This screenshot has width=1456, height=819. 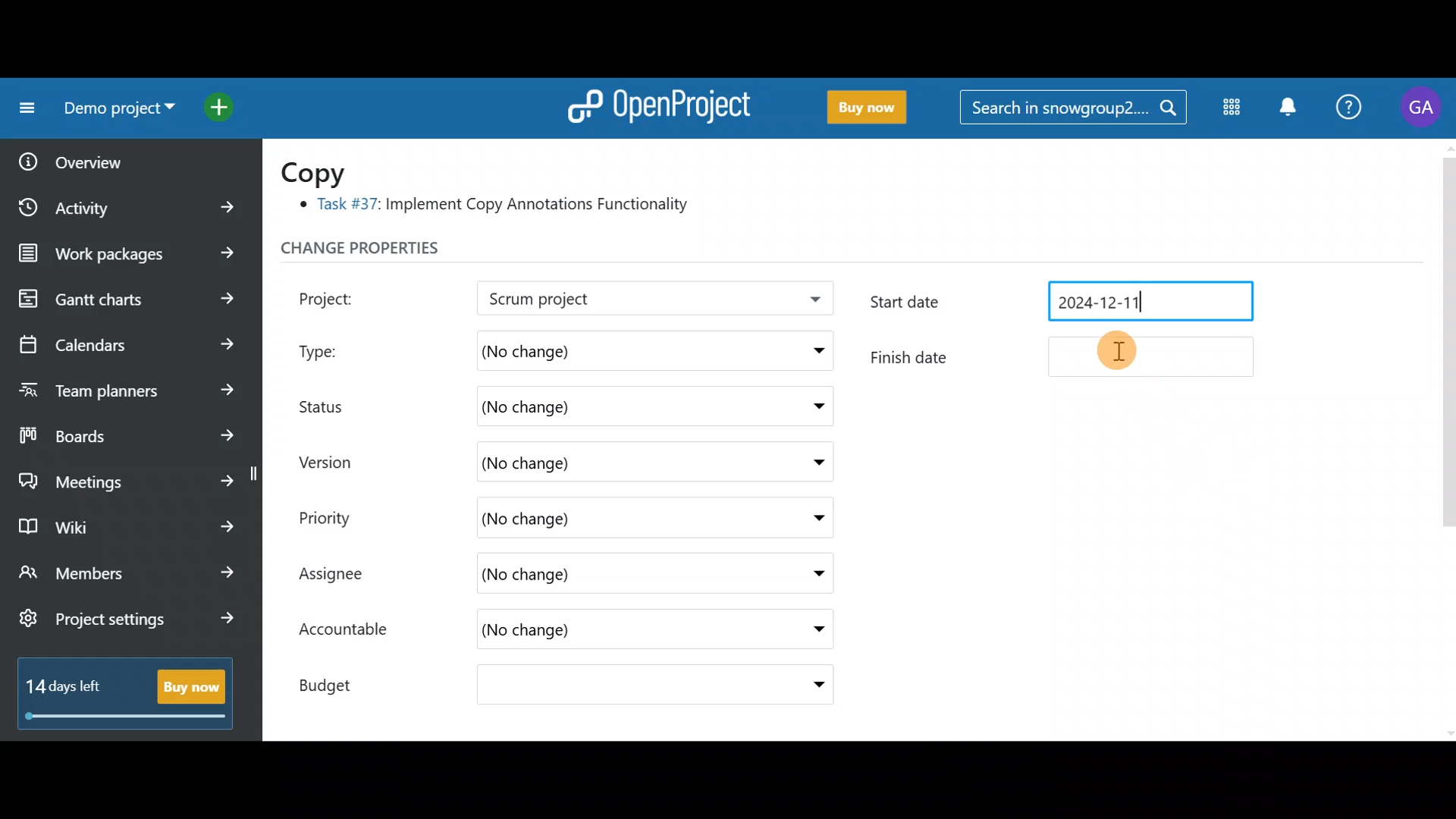 I want to click on Project drop down, so click(x=810, y=303).